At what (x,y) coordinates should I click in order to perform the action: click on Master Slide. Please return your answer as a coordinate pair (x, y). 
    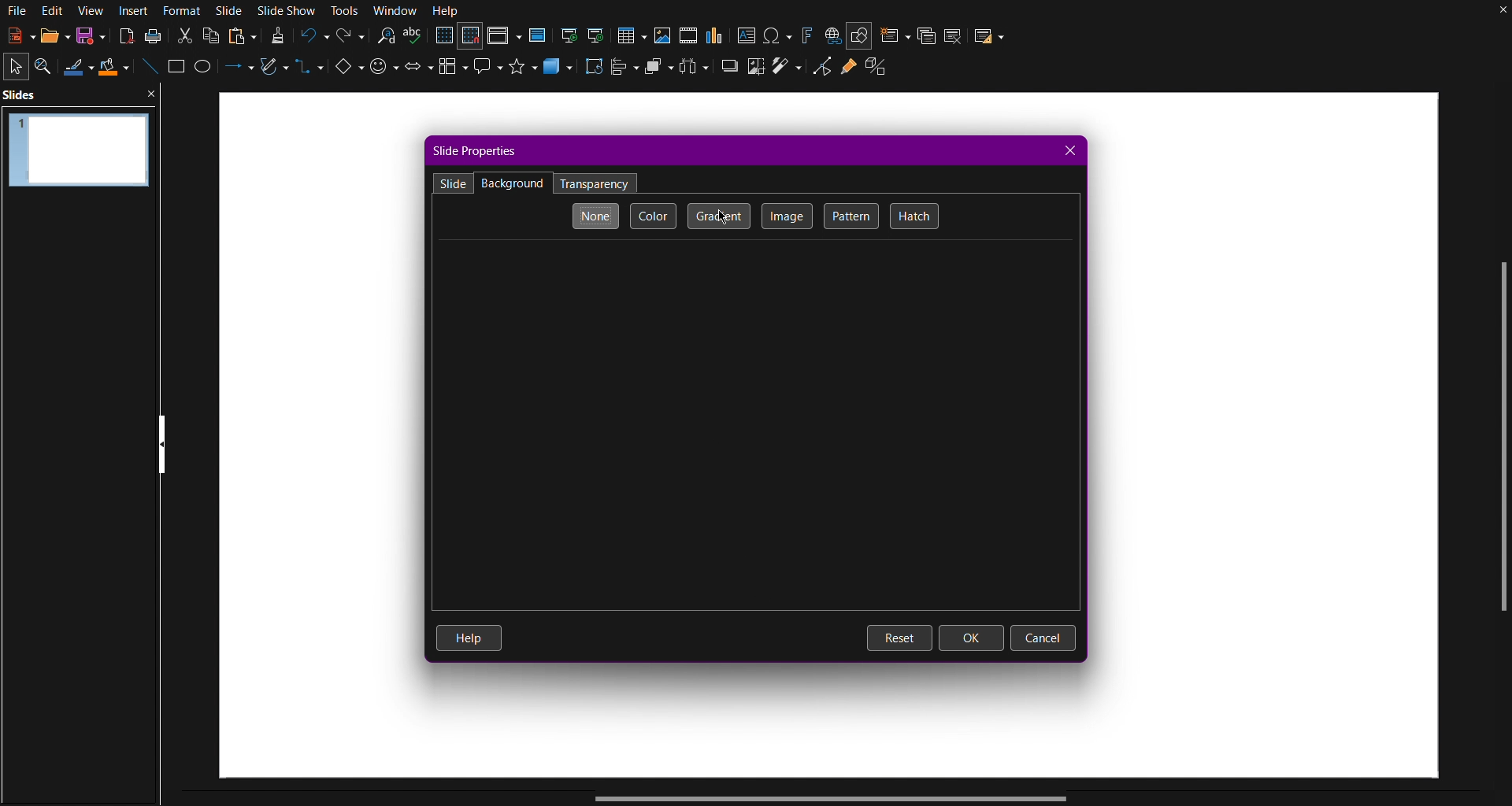
    Looking at the image, I should click on (539, 35).